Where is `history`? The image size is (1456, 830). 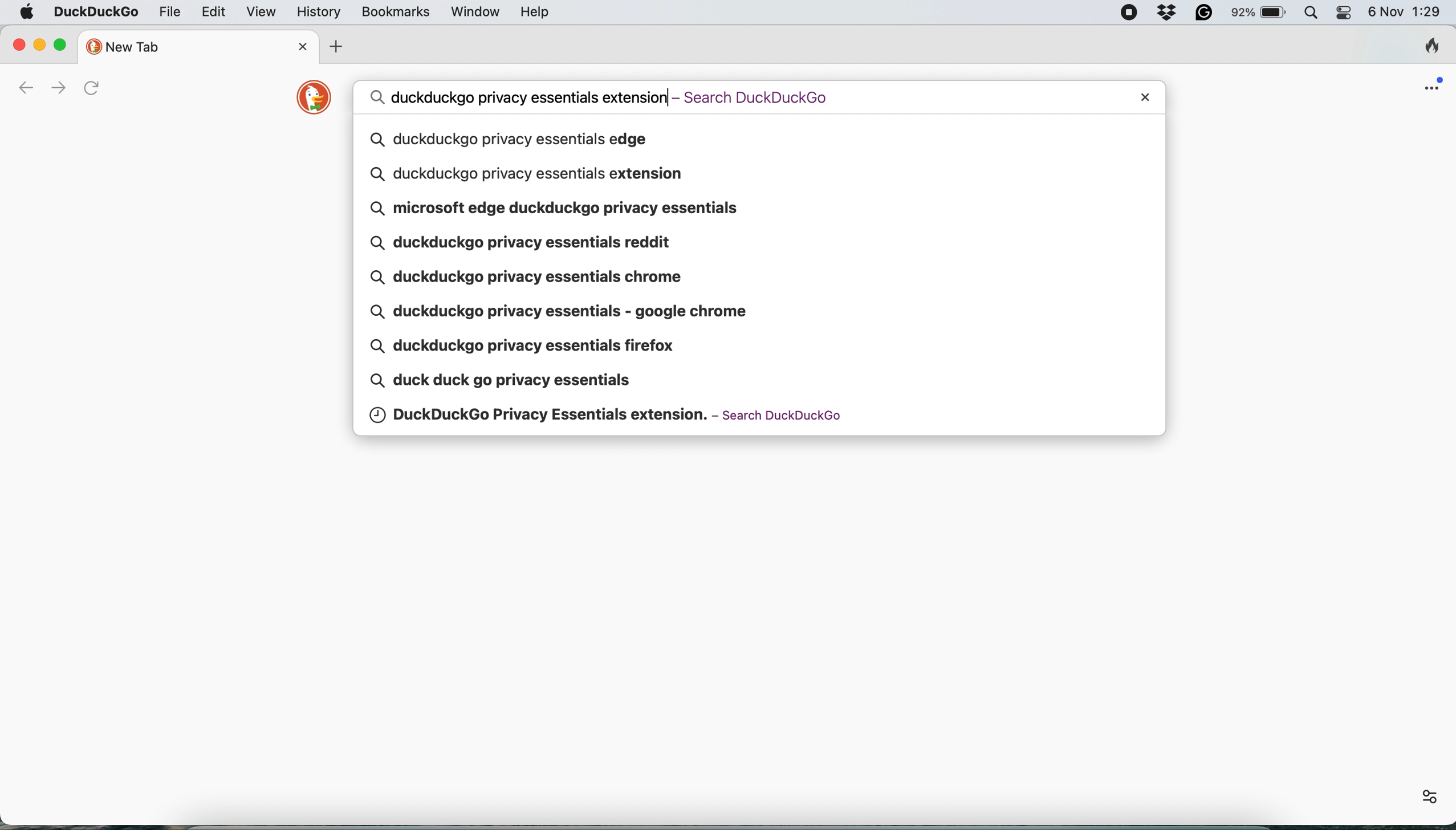 history is located at coordinates (322, 13).